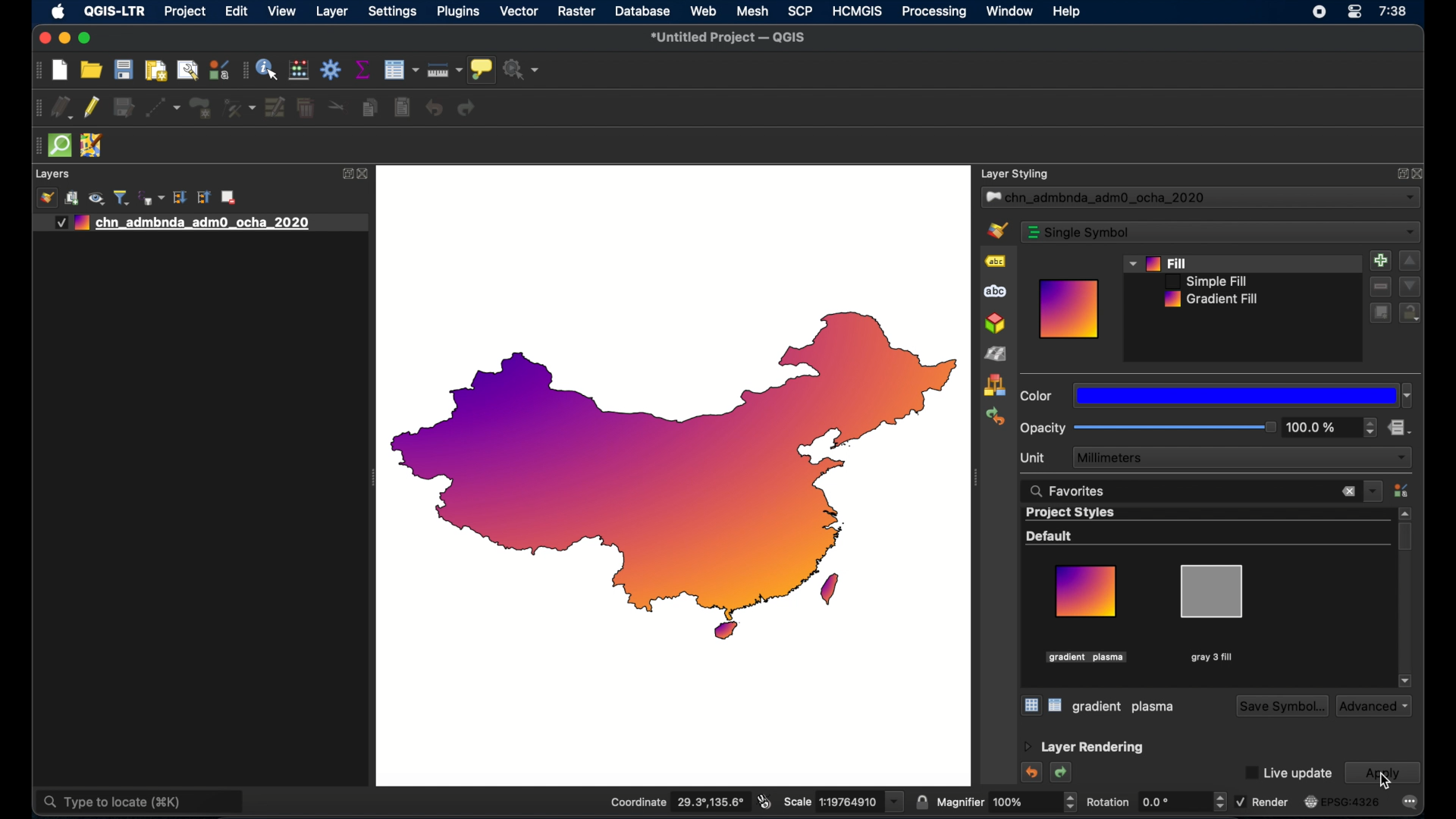 This screenshot has width=1456, height=819. I want to click on redo, so click(467, 108).